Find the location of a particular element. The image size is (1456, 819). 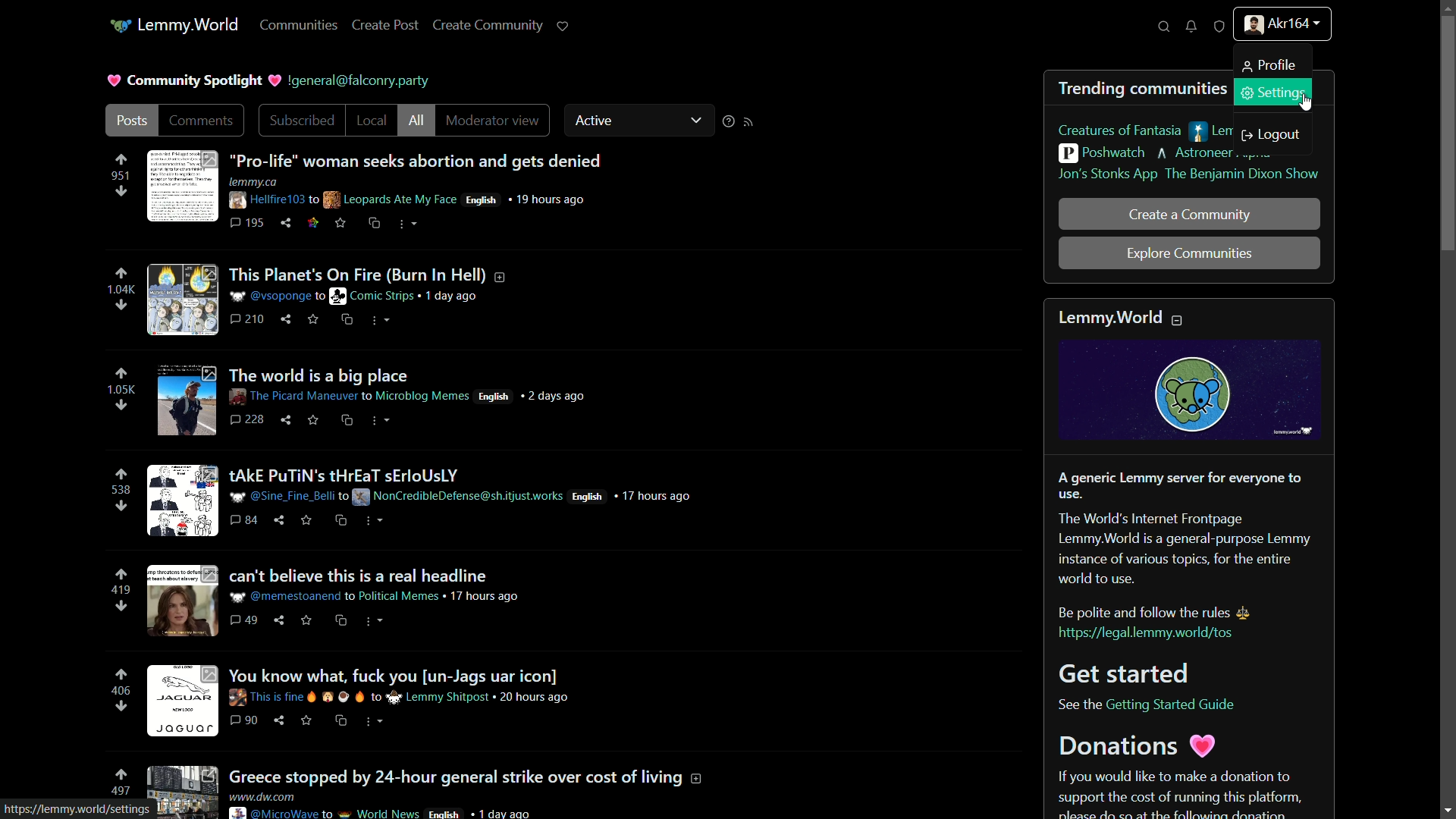

post-7 is located at coordinates (425, 788).